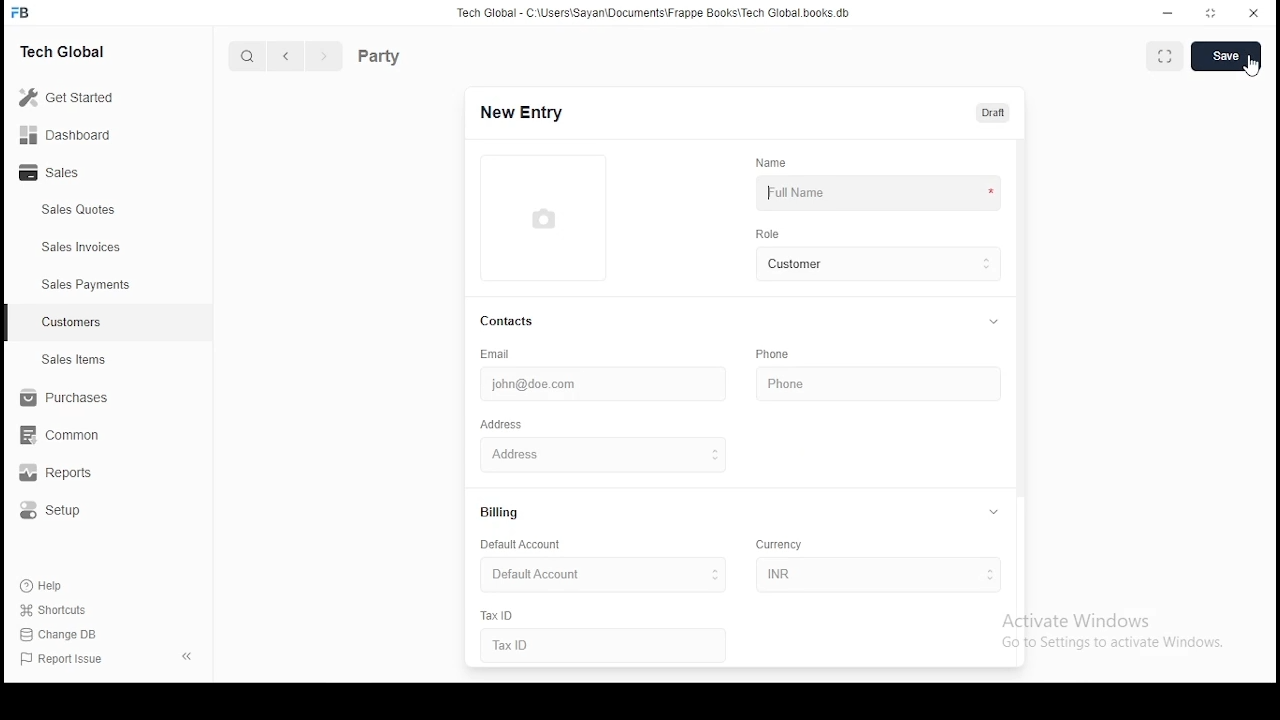 The image size is (1280, 720). I want to click on save, so click(1225, 56).